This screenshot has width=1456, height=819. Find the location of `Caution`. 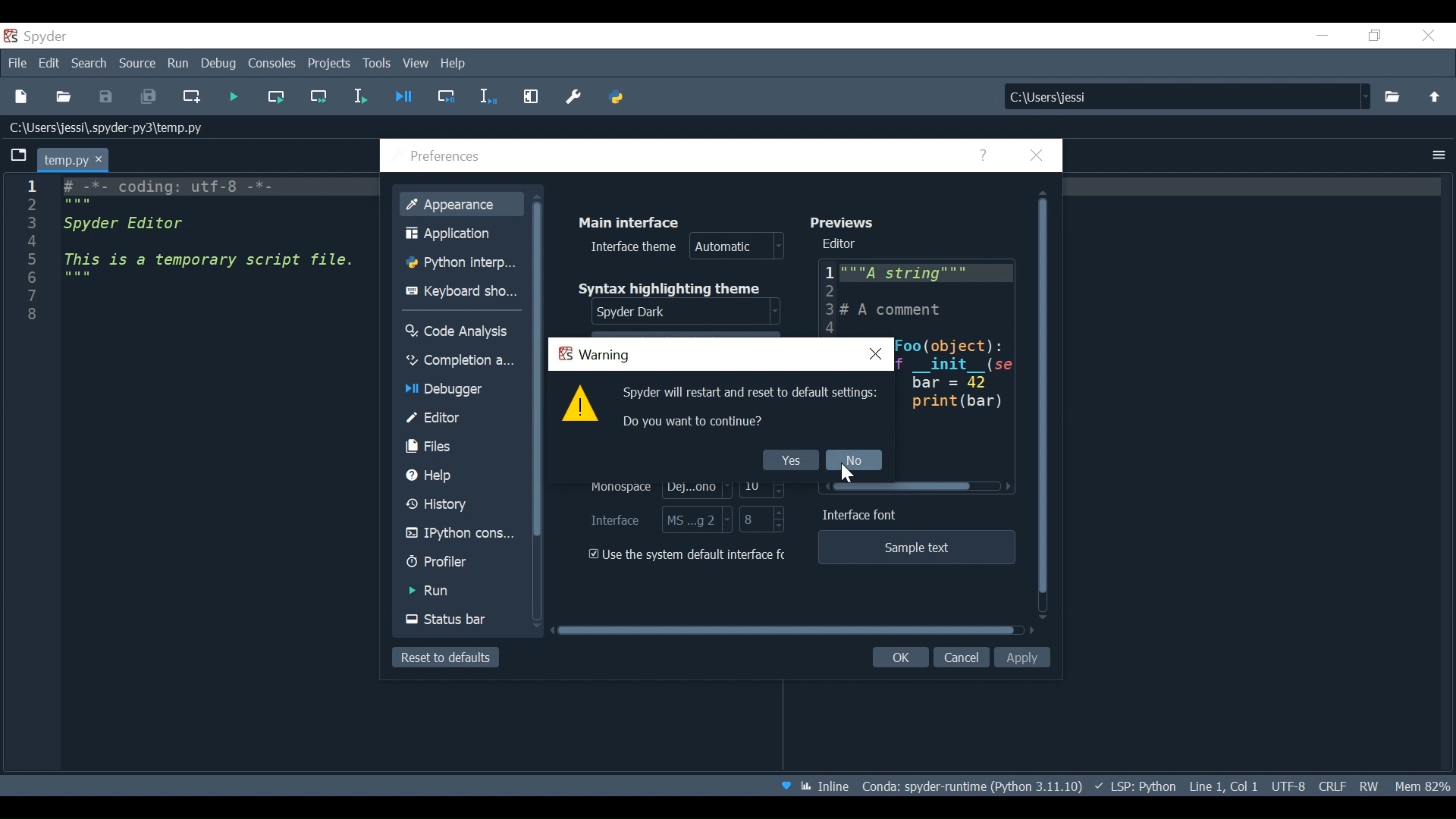

Caution is located at coordinates (581, 406).